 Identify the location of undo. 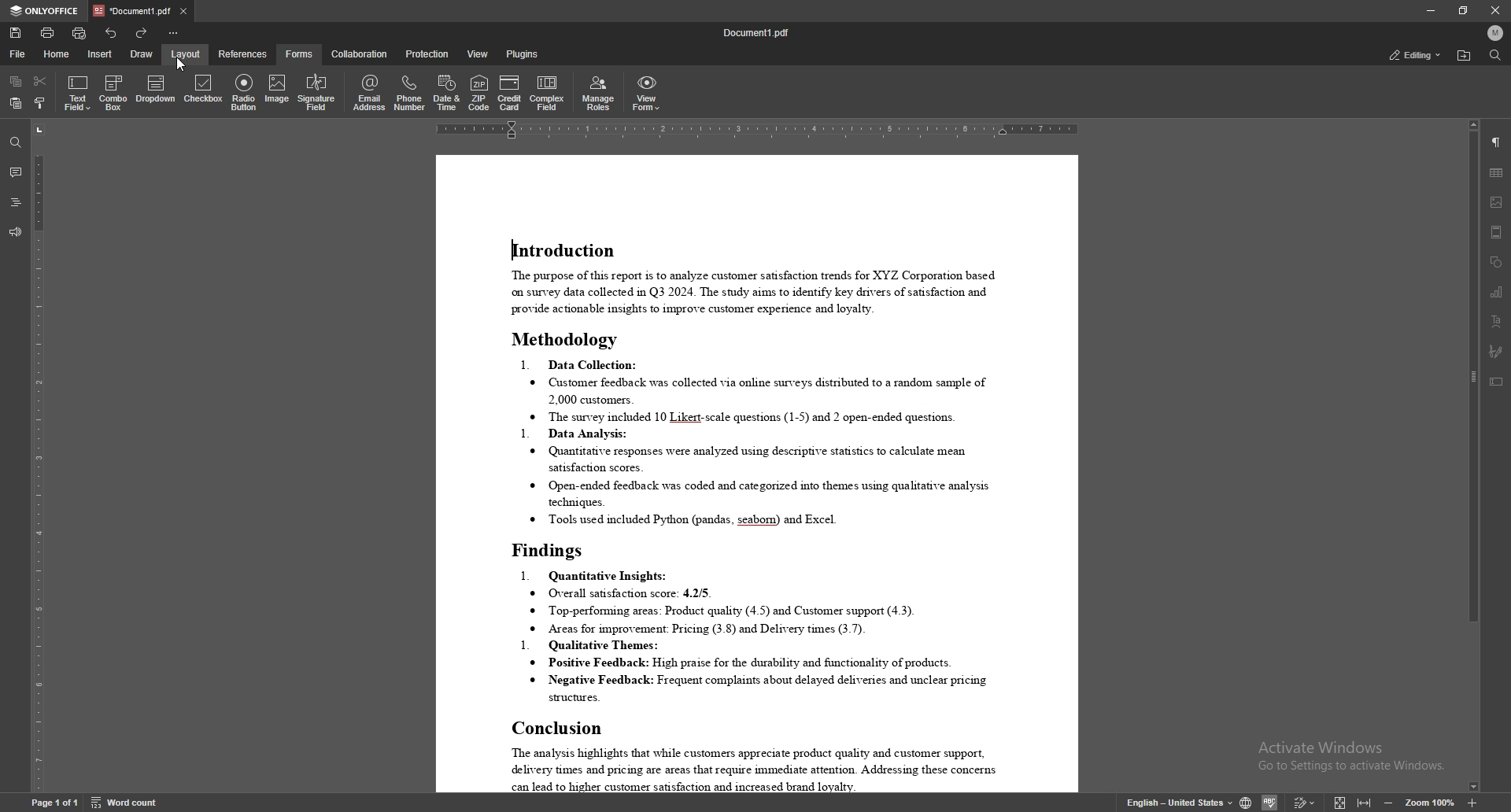
(110, 33).